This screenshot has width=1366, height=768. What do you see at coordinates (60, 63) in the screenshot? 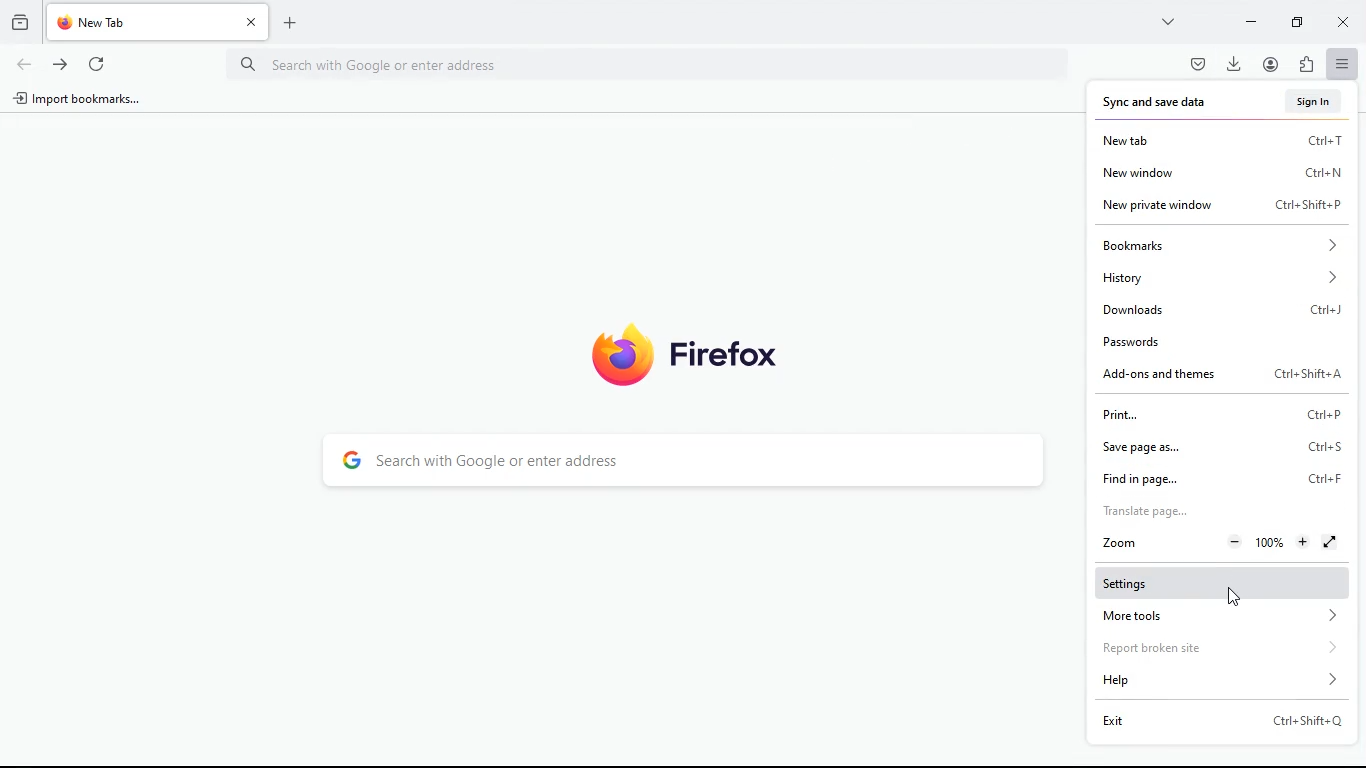
I see `forward` at bounding box center [60, 63].